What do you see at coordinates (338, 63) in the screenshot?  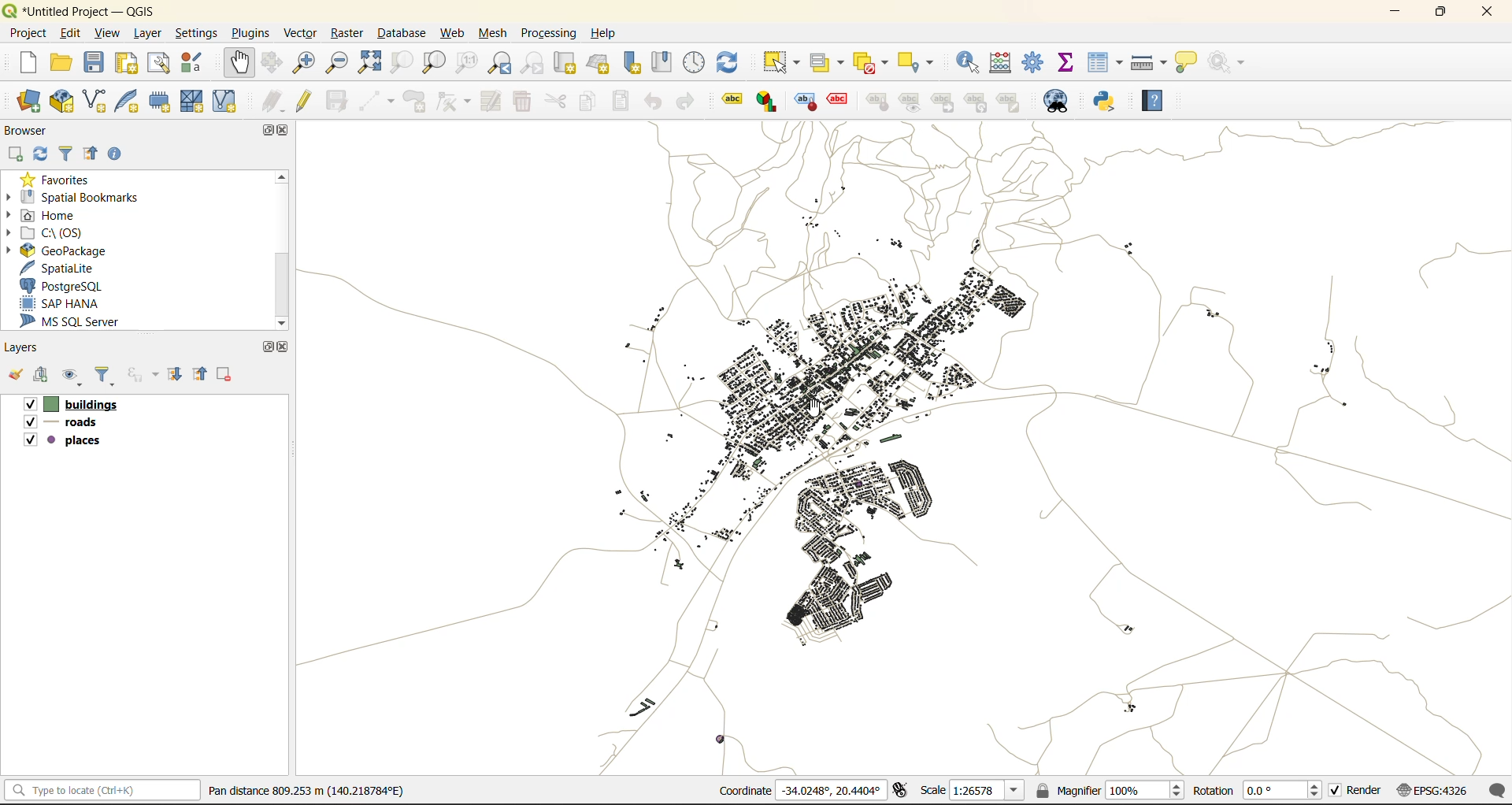 I see `zoom out` at bounding box center [338, 63].